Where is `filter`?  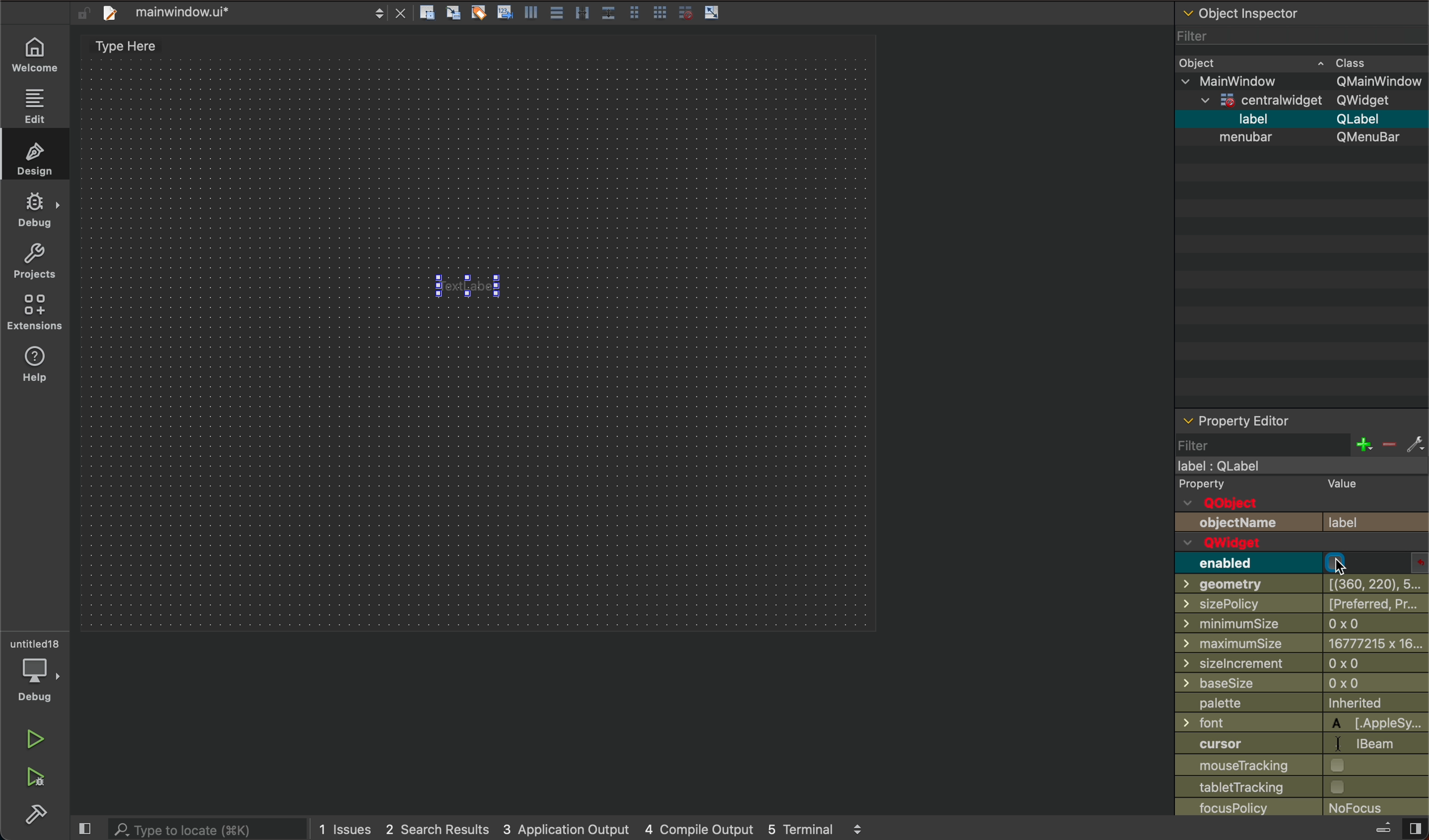 filter is located at coordinates (1214, 443).